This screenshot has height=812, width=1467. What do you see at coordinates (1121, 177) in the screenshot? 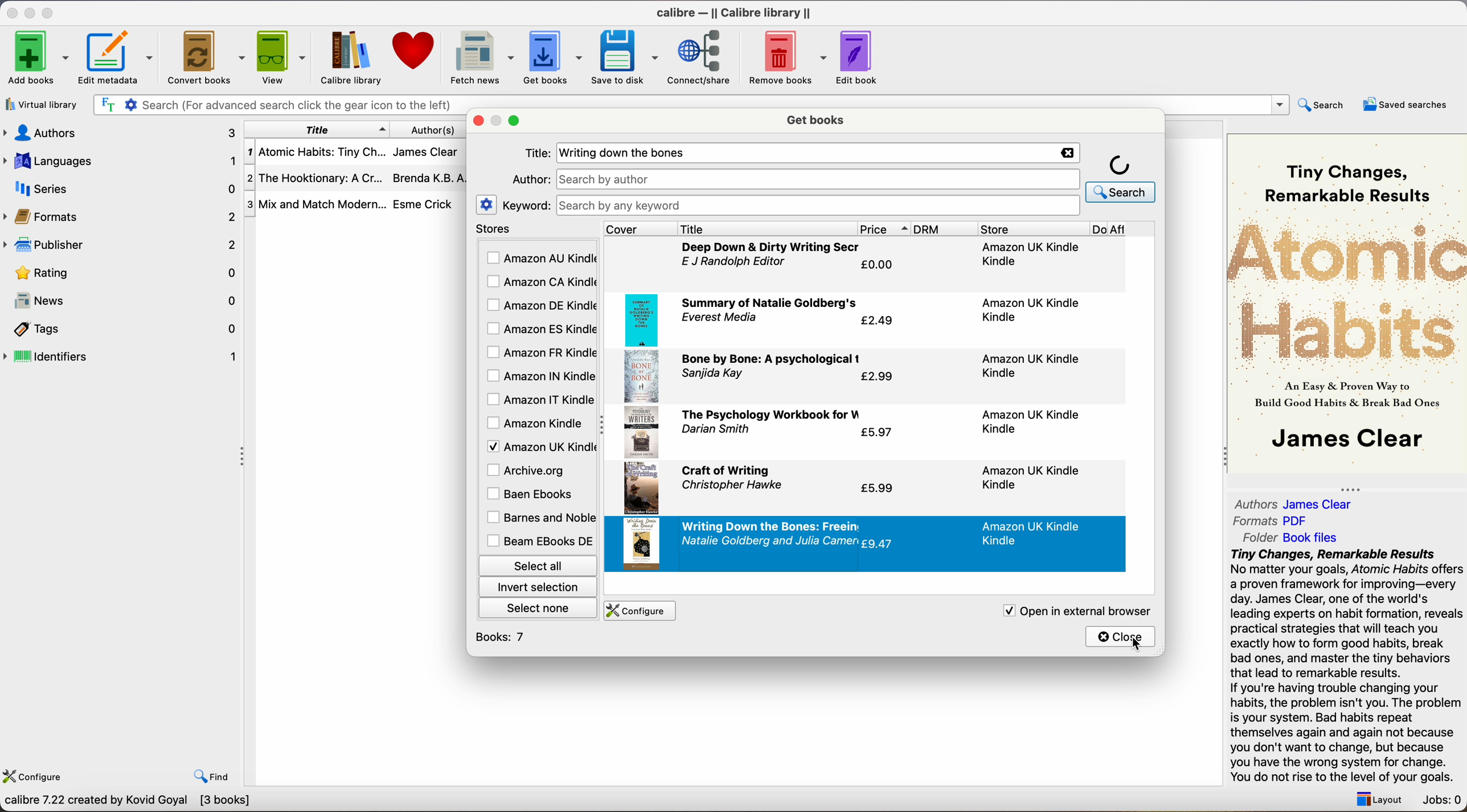
I see `search` at bounding box center [1121, 177].